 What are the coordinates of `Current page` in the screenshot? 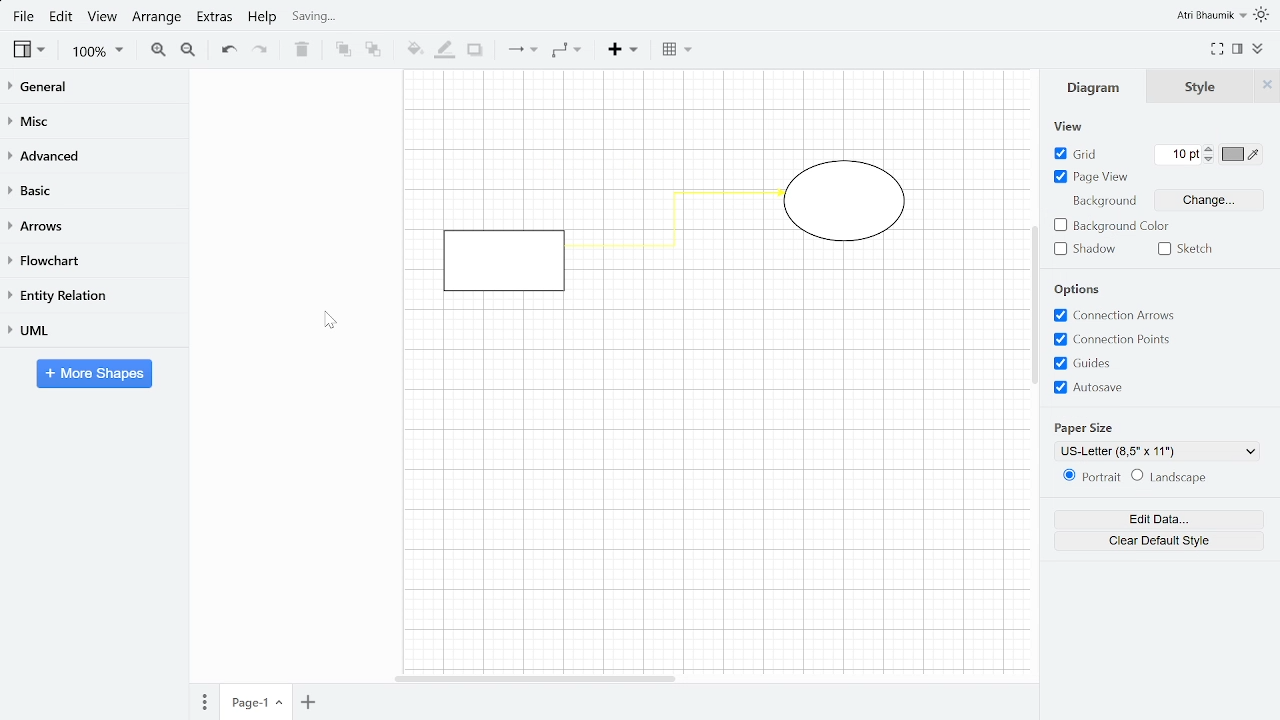 It's located at (254, 703).